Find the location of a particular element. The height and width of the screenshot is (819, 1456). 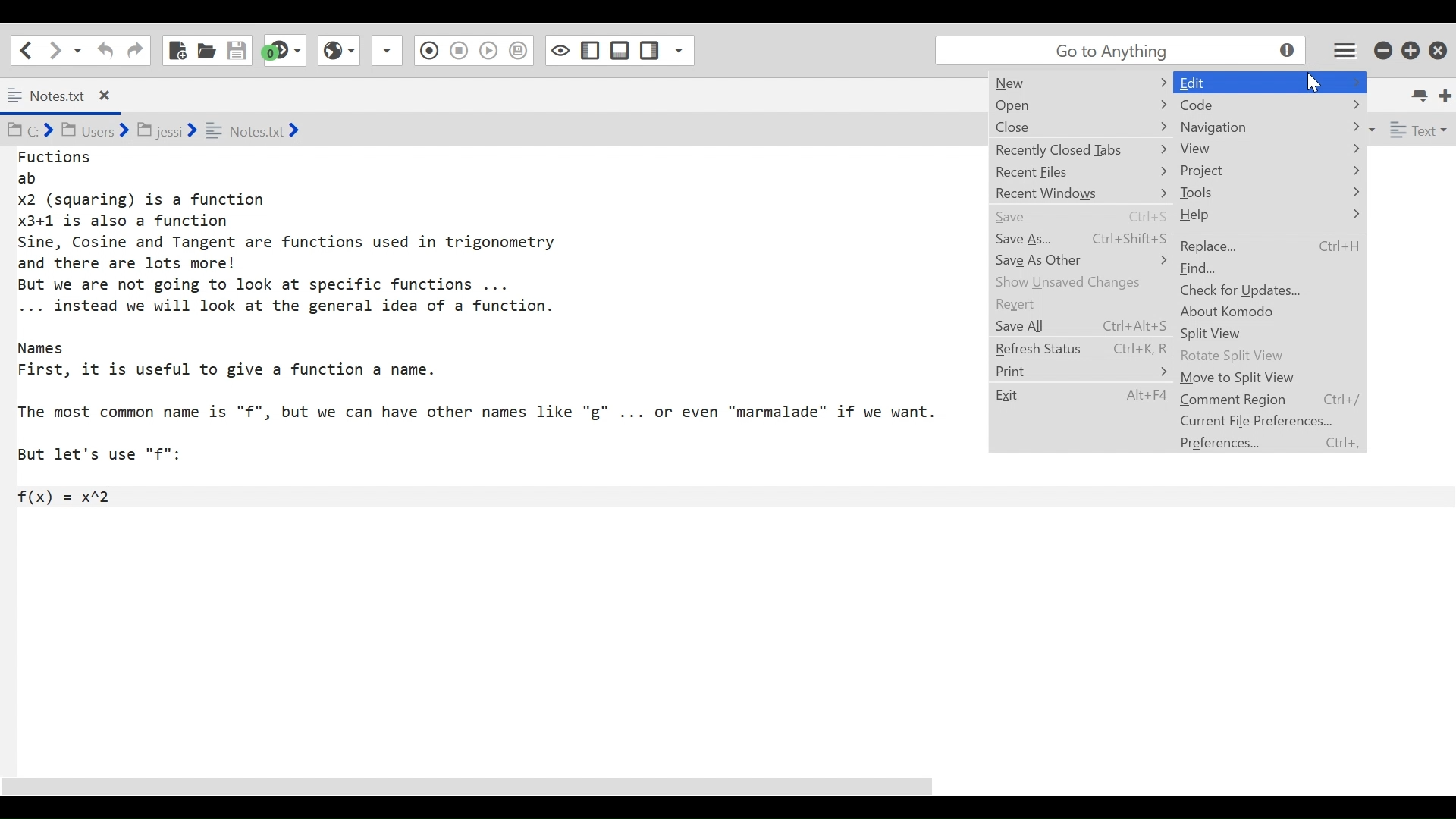

View in Browser is located at coordinates (458, 49).